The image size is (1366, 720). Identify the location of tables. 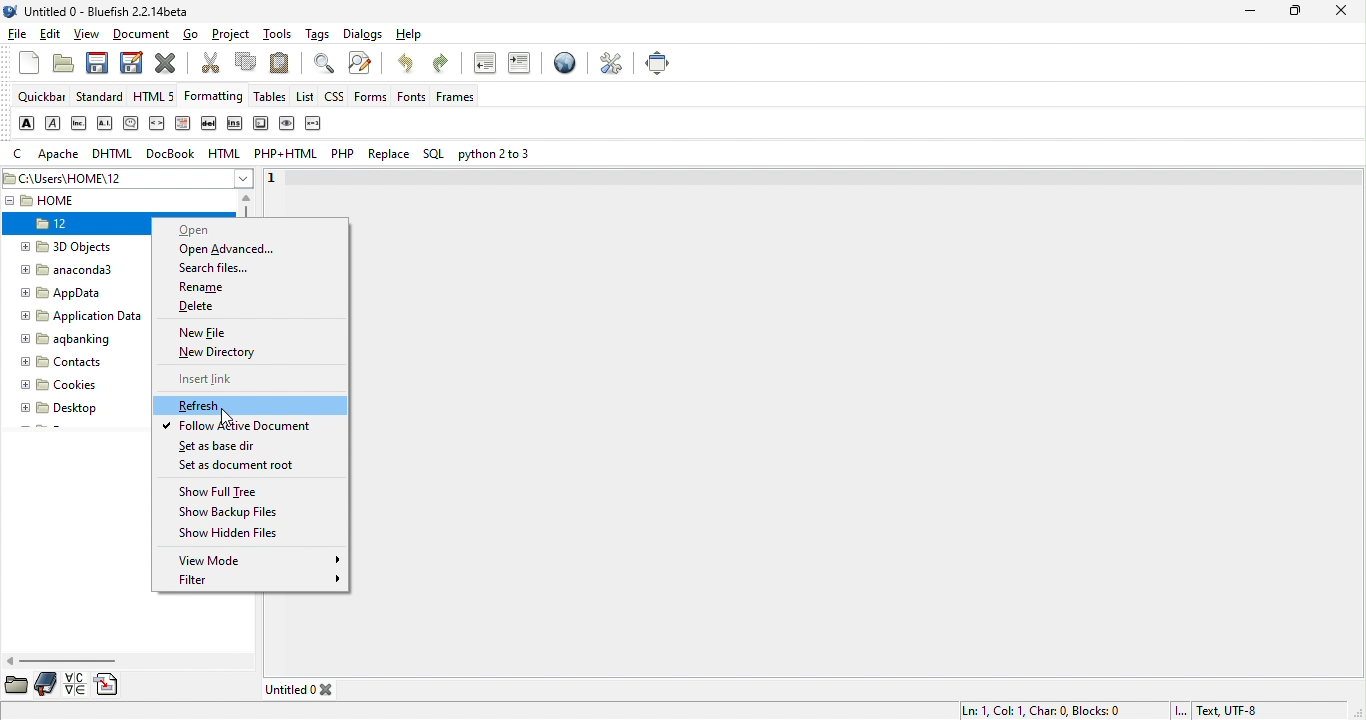
(271, 98).